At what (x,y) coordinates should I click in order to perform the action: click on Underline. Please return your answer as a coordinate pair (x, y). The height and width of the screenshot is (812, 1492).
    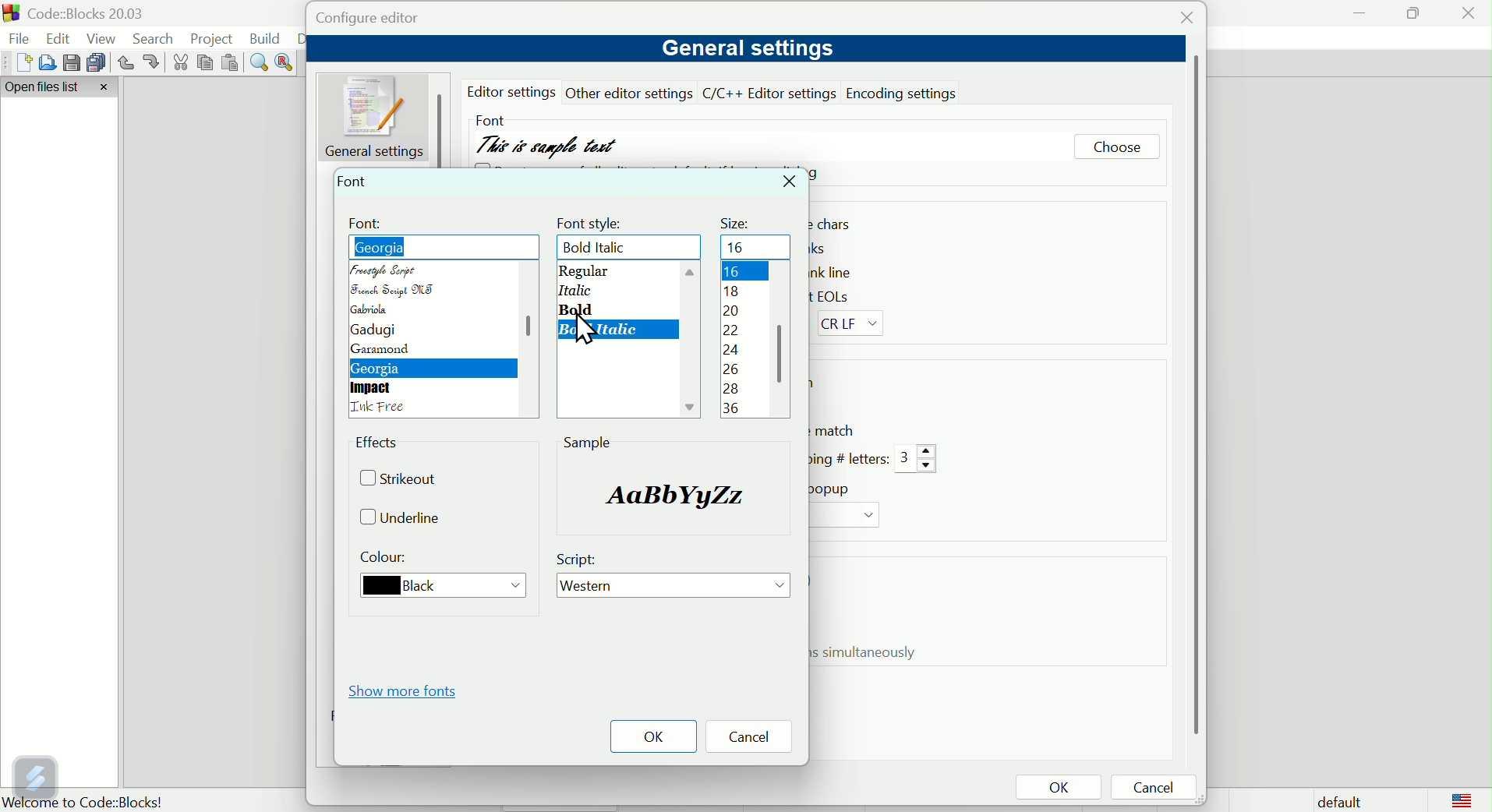
    Looking at the image, I should click on (407, 519).